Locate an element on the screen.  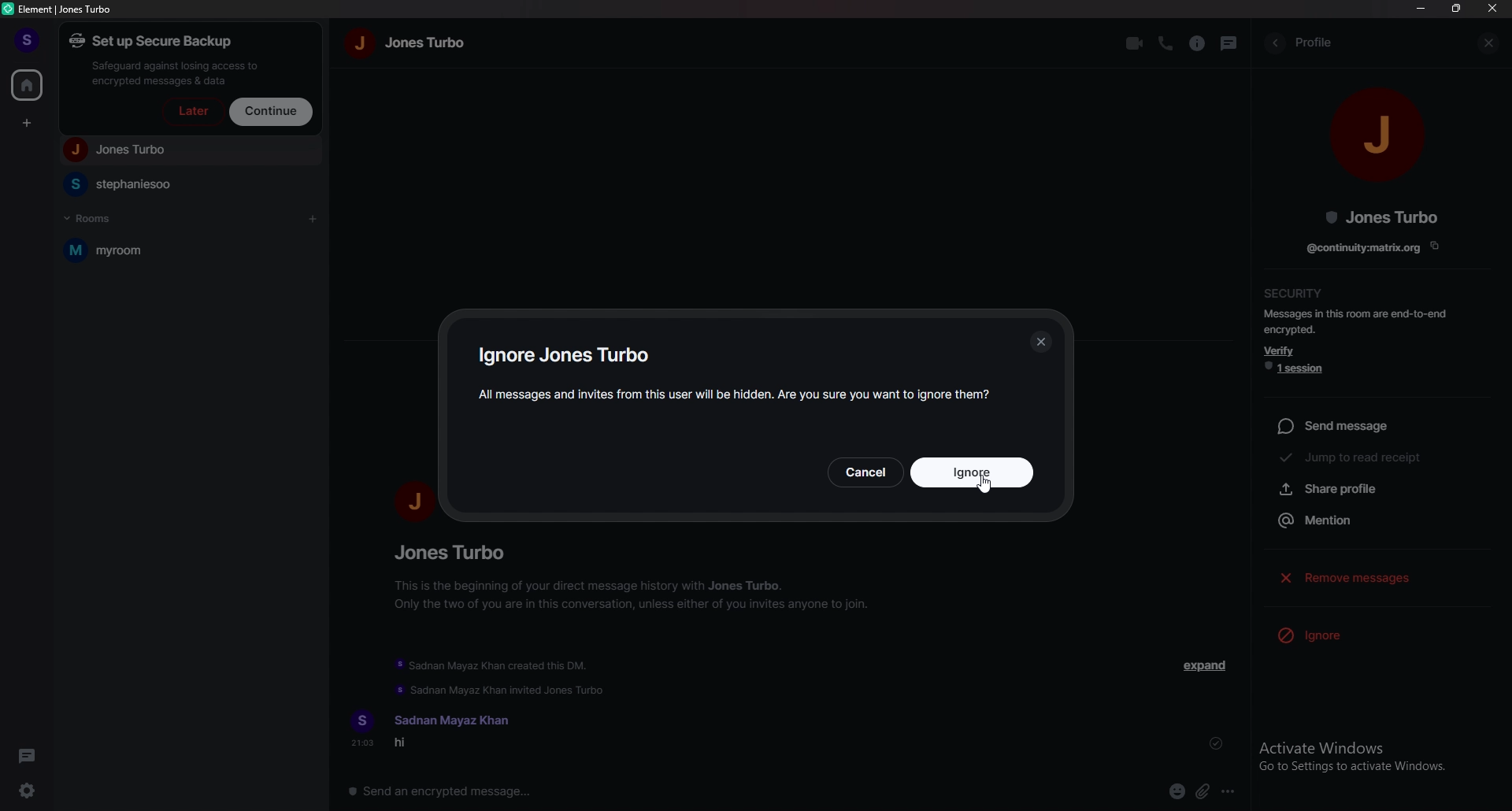
info is located at coordinates (1360, 321).